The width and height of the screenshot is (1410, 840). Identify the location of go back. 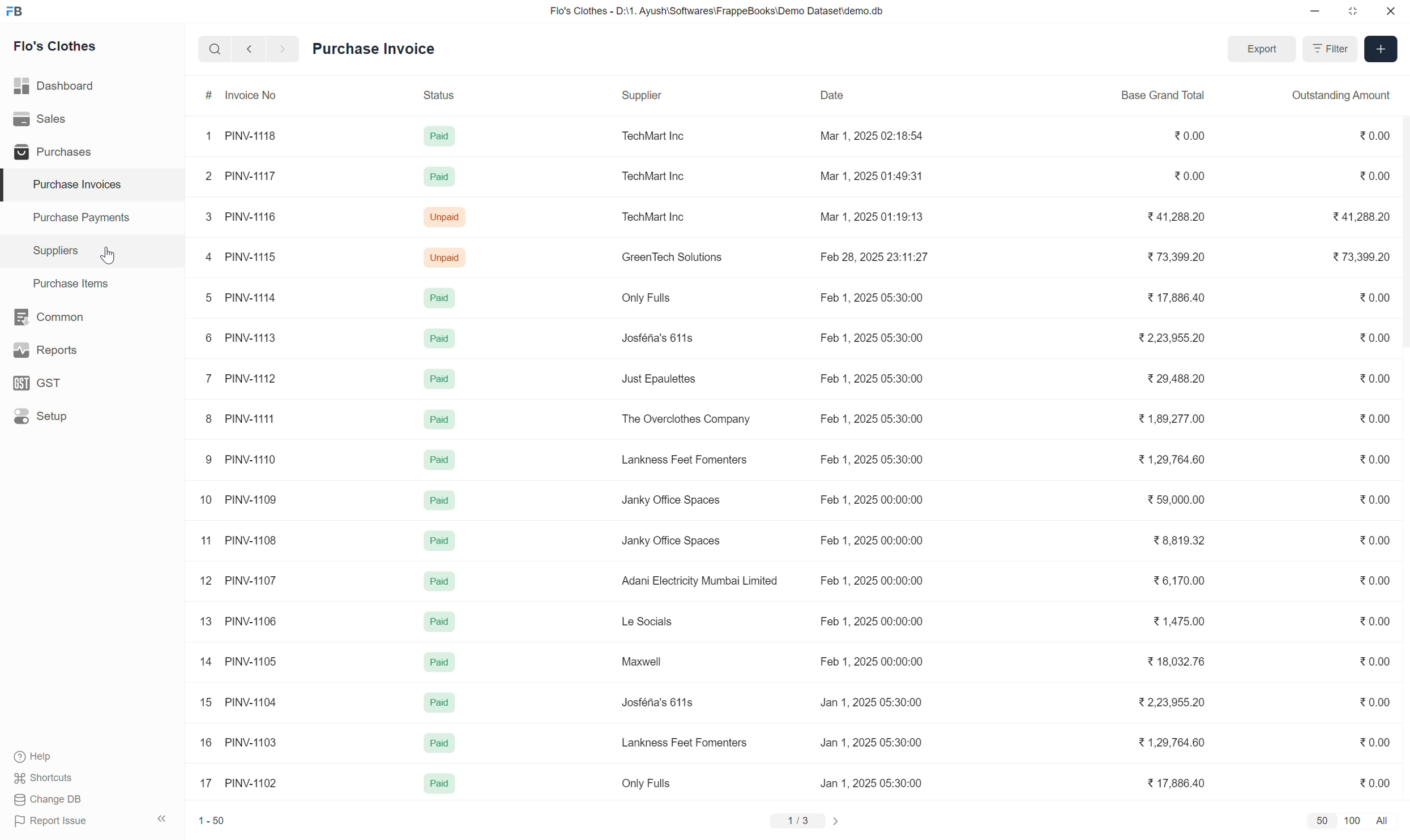
(245, 48).